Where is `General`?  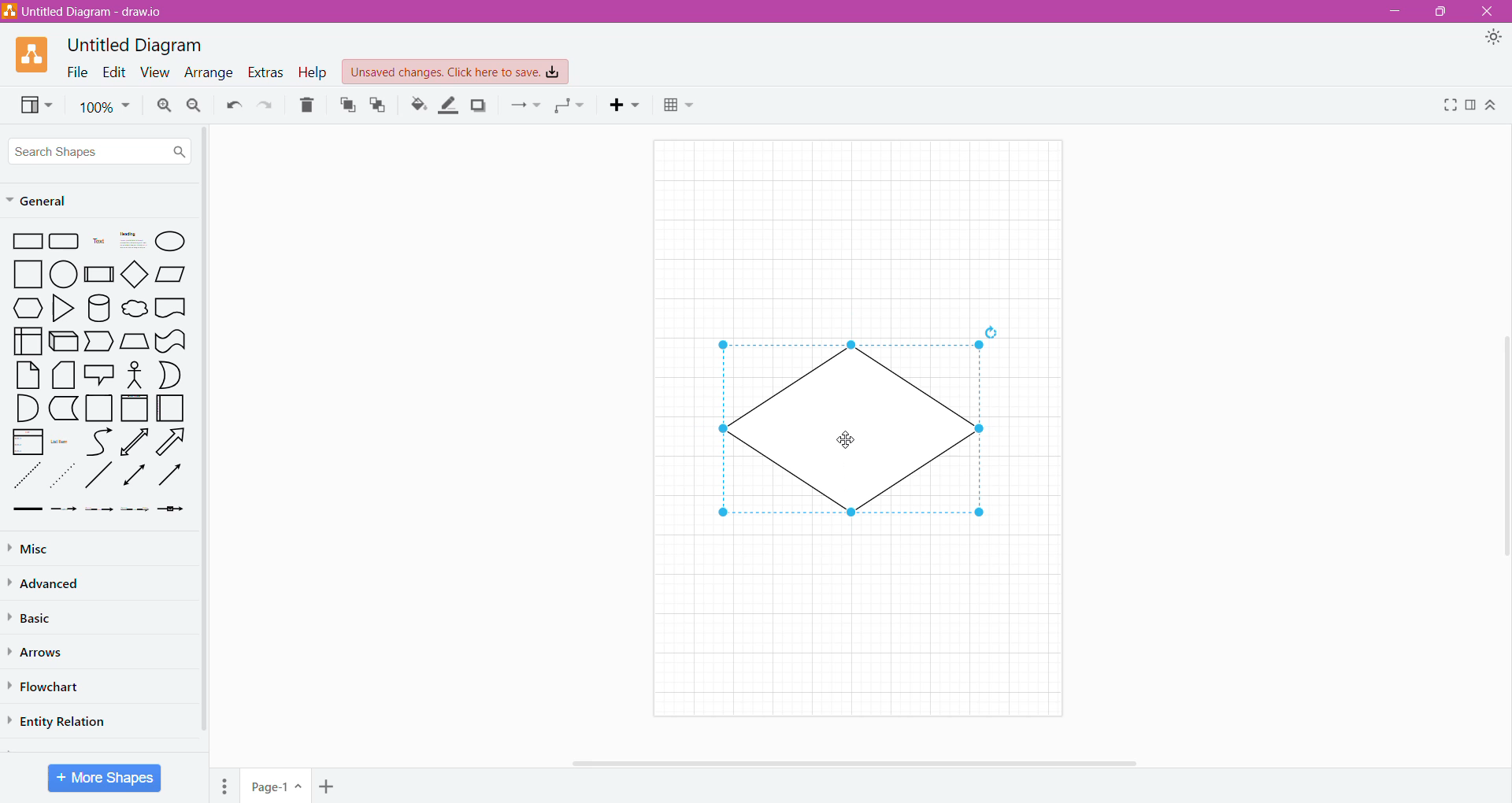
General is located at coordinates (46, 202).